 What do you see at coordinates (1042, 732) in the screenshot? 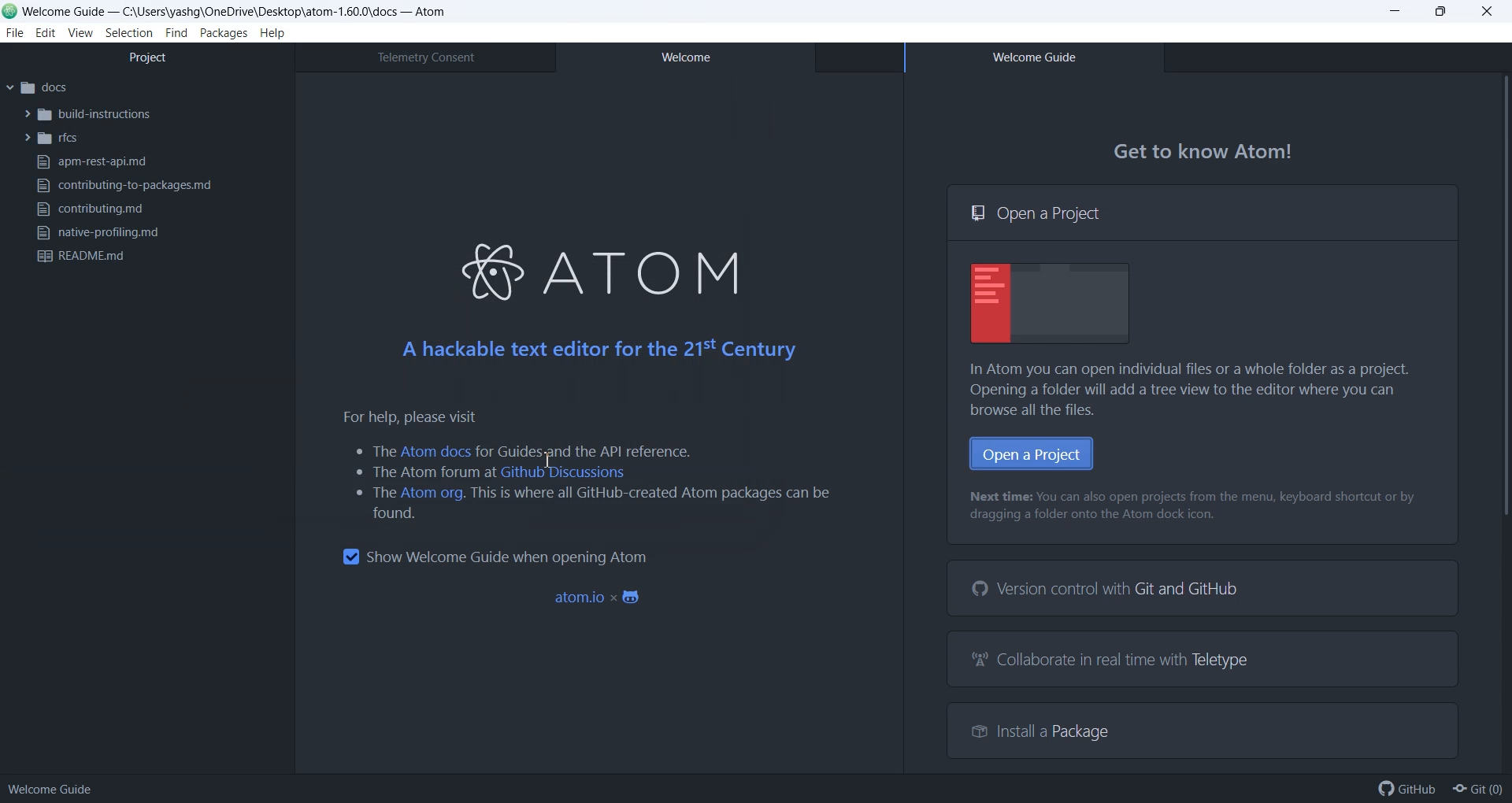
I see `Install a Package` at bounding box center [1042, 732].